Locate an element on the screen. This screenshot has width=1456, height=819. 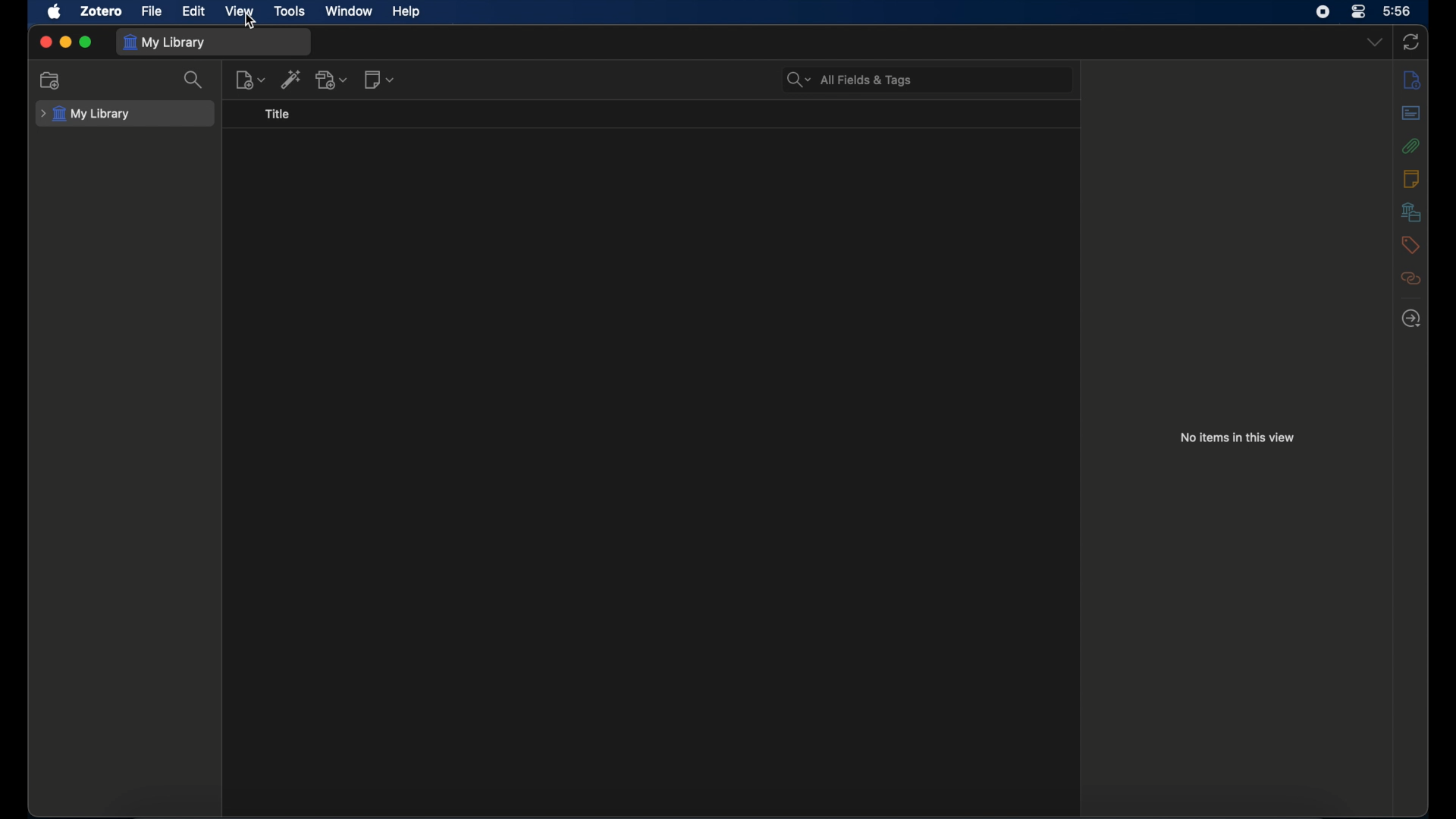
libraries is located at coordinates (1410, 212).